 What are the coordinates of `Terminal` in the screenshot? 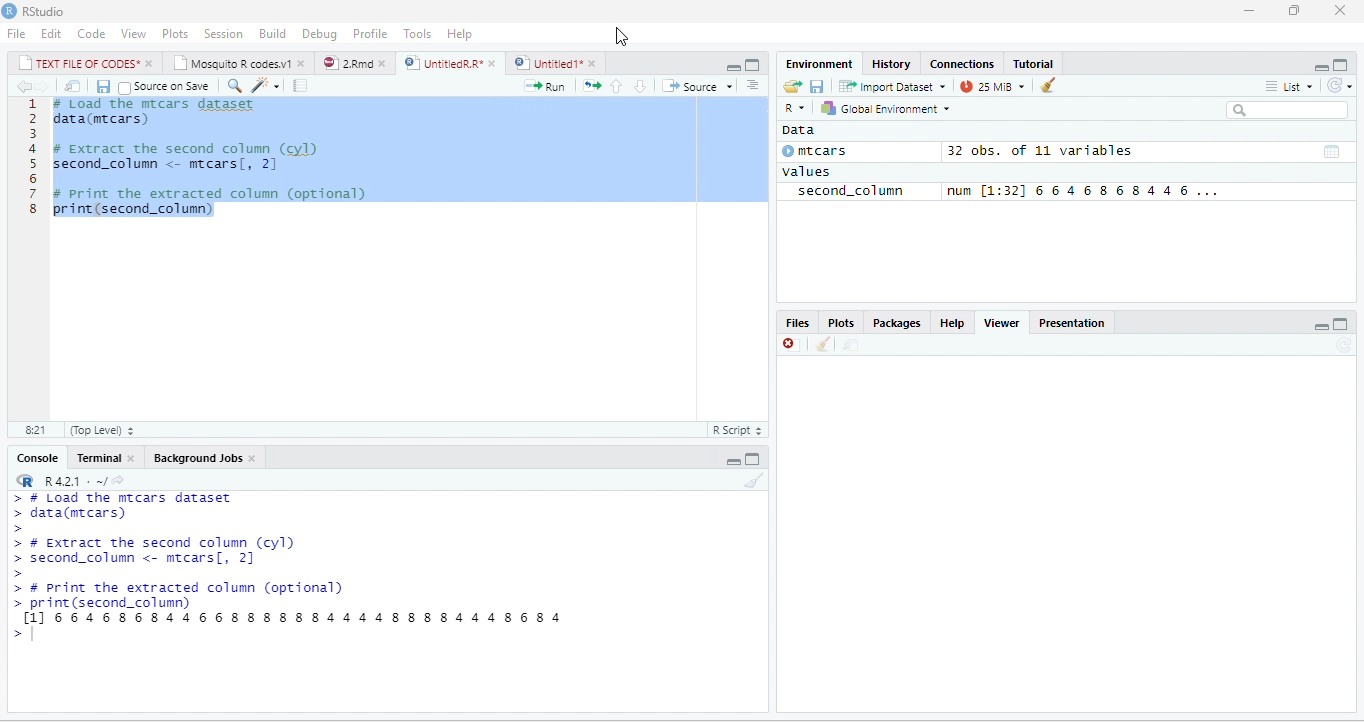 It's located at (97, 459).